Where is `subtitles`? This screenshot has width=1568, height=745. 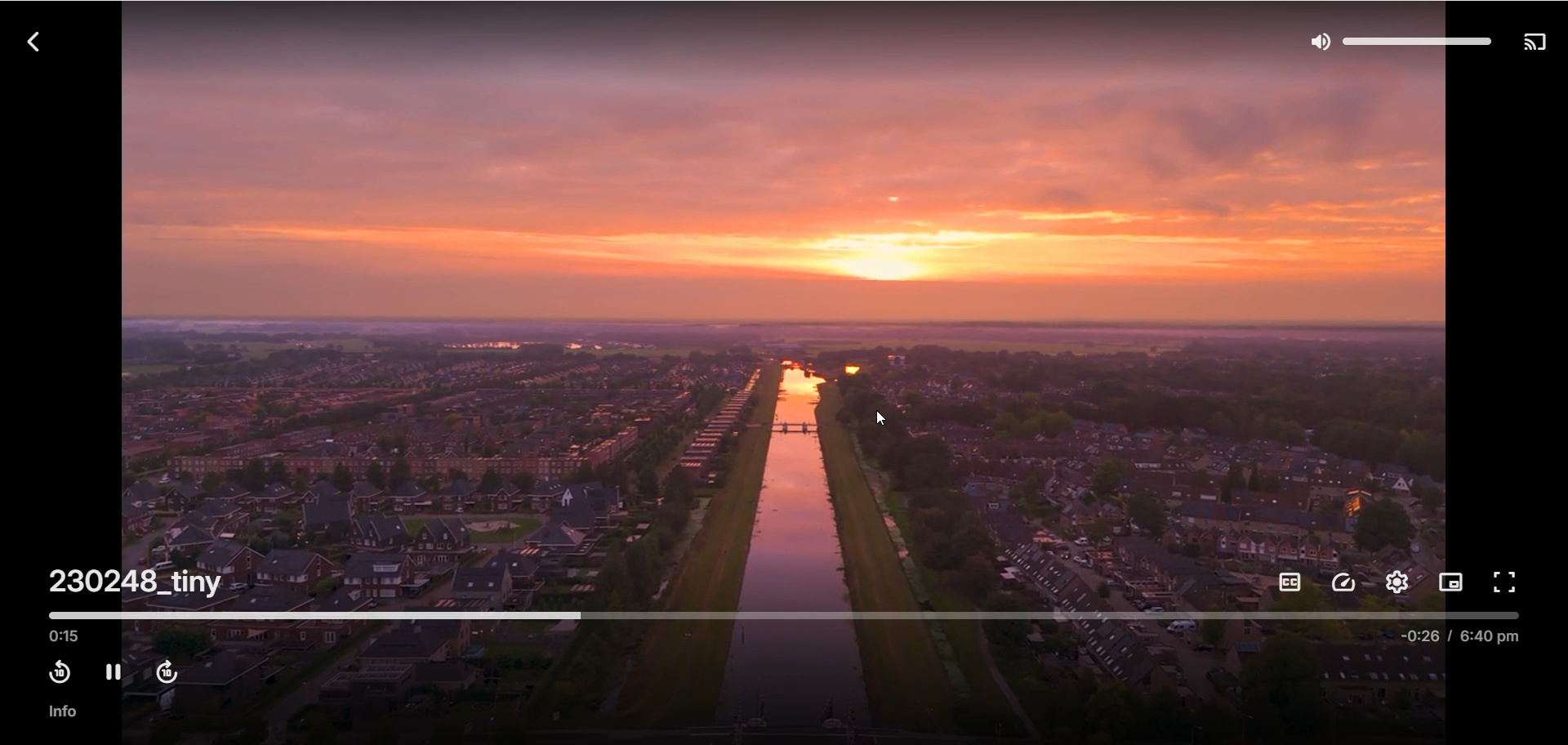 subtitles is located at coordinates (1286, 584).